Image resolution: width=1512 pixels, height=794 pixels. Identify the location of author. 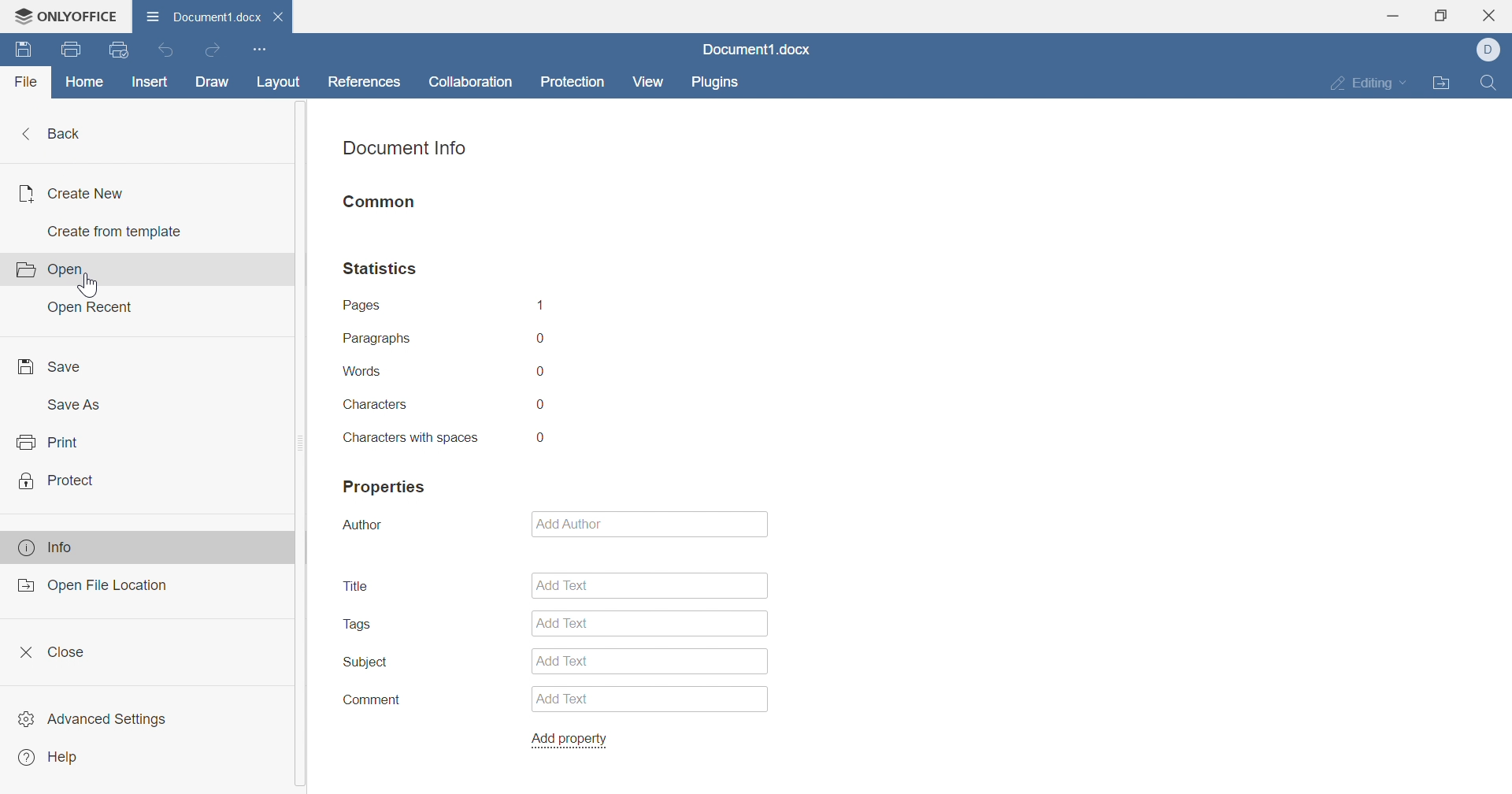
(365, 524).